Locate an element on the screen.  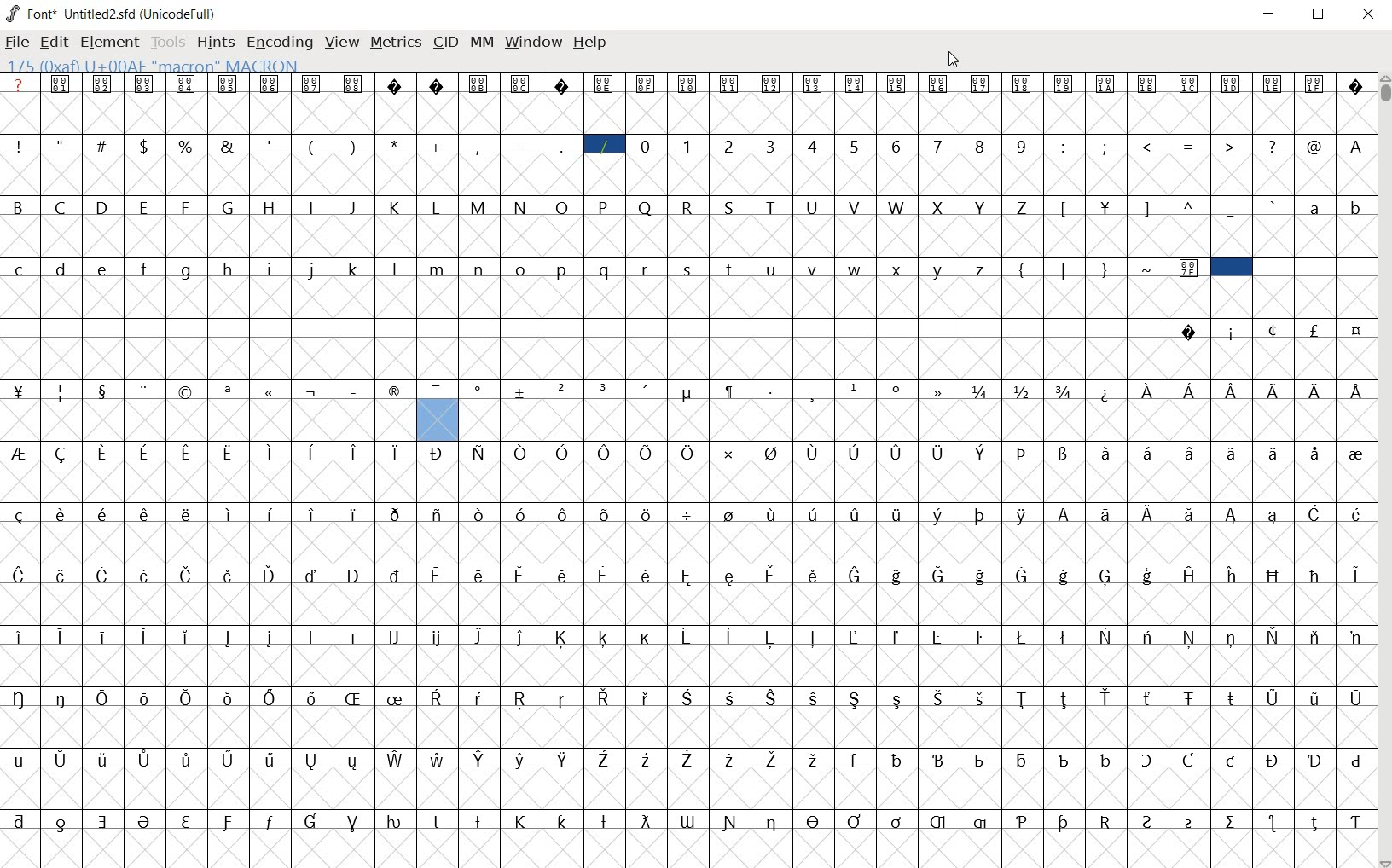
Symbol is located at coordinates (1230, 698).